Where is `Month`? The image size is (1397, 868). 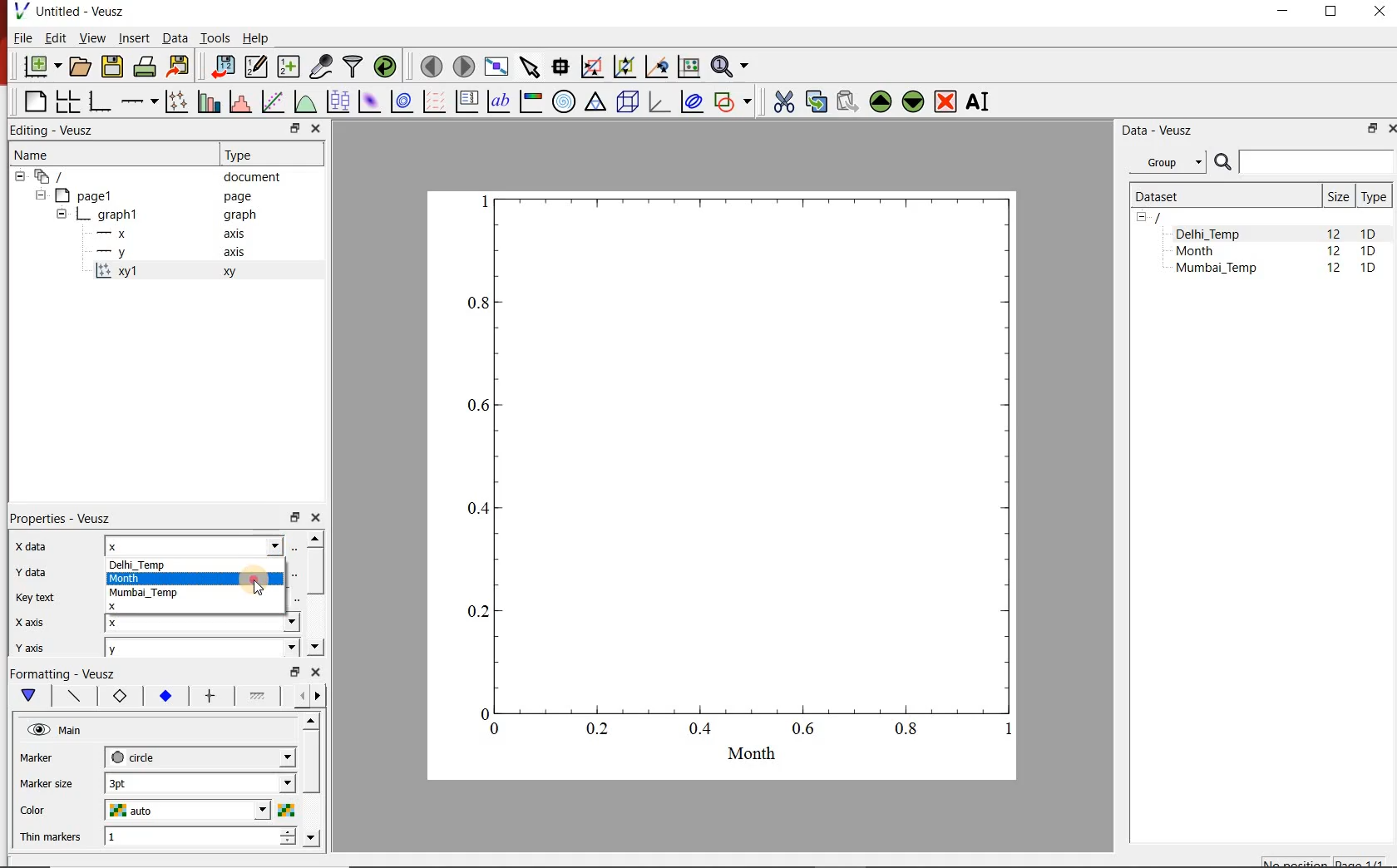
Month is located at coordinates (1207, 251).